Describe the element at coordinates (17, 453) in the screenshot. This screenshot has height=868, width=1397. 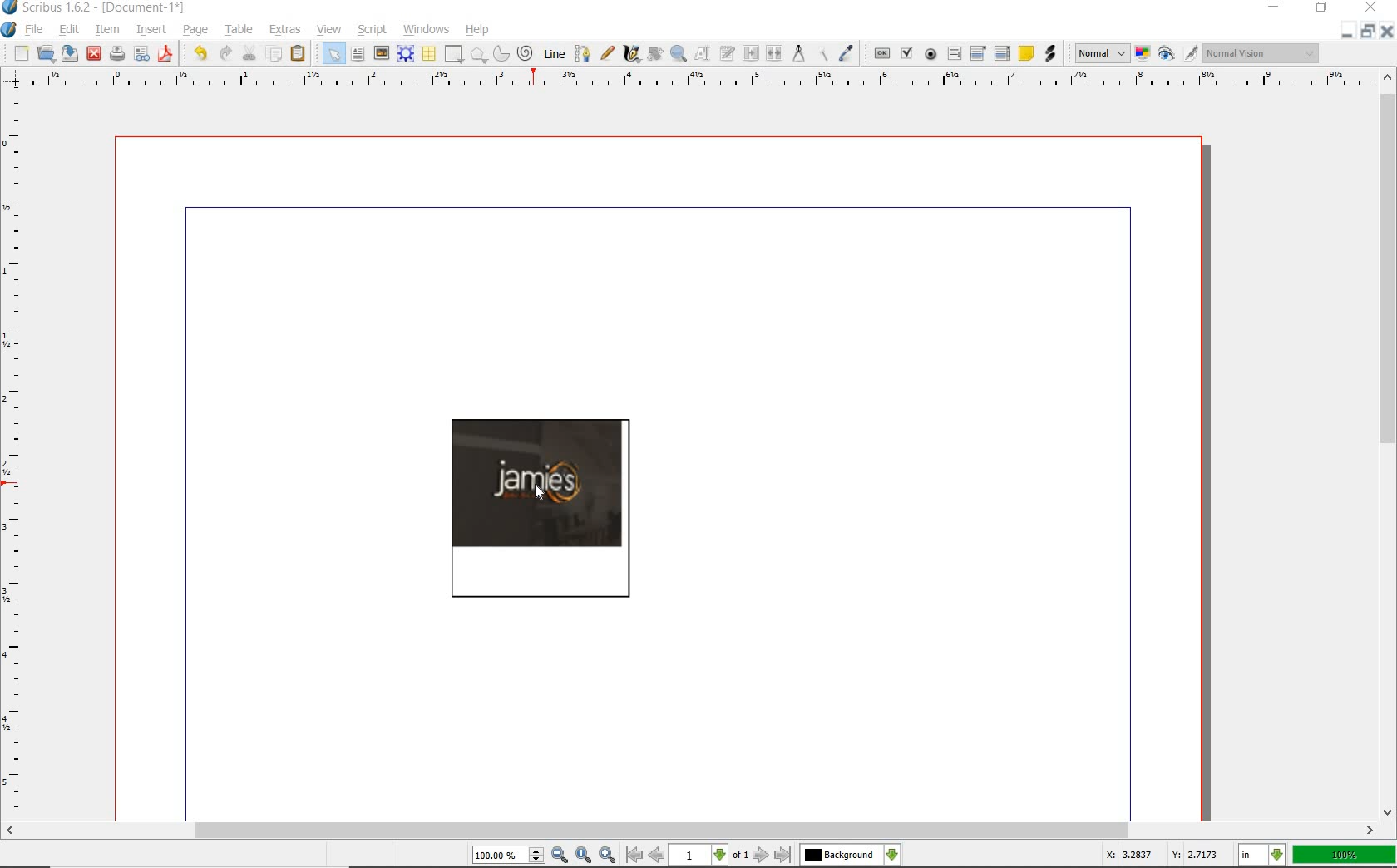
I see `ruler` at that location.